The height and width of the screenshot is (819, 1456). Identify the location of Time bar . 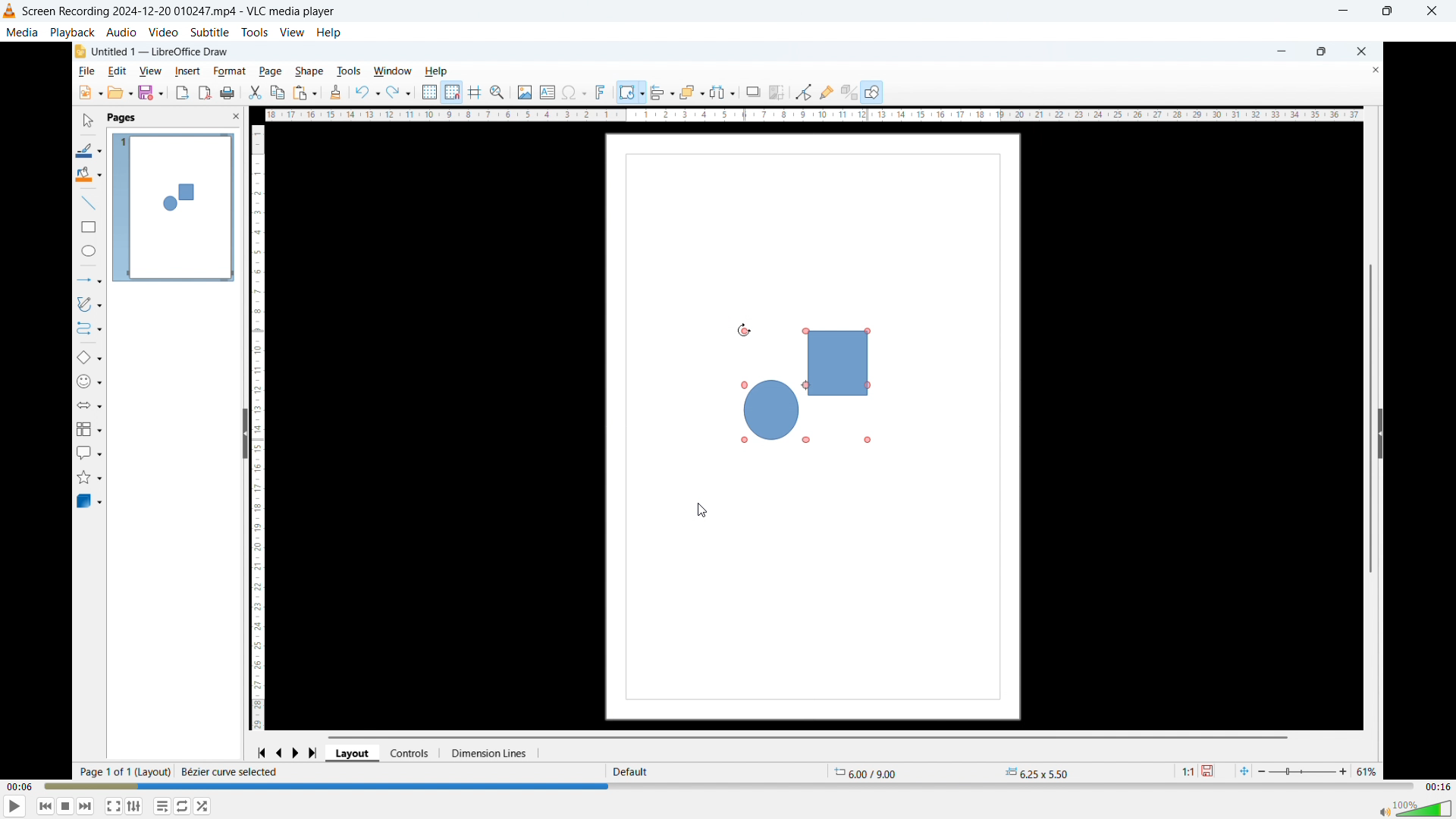
(730, 785).